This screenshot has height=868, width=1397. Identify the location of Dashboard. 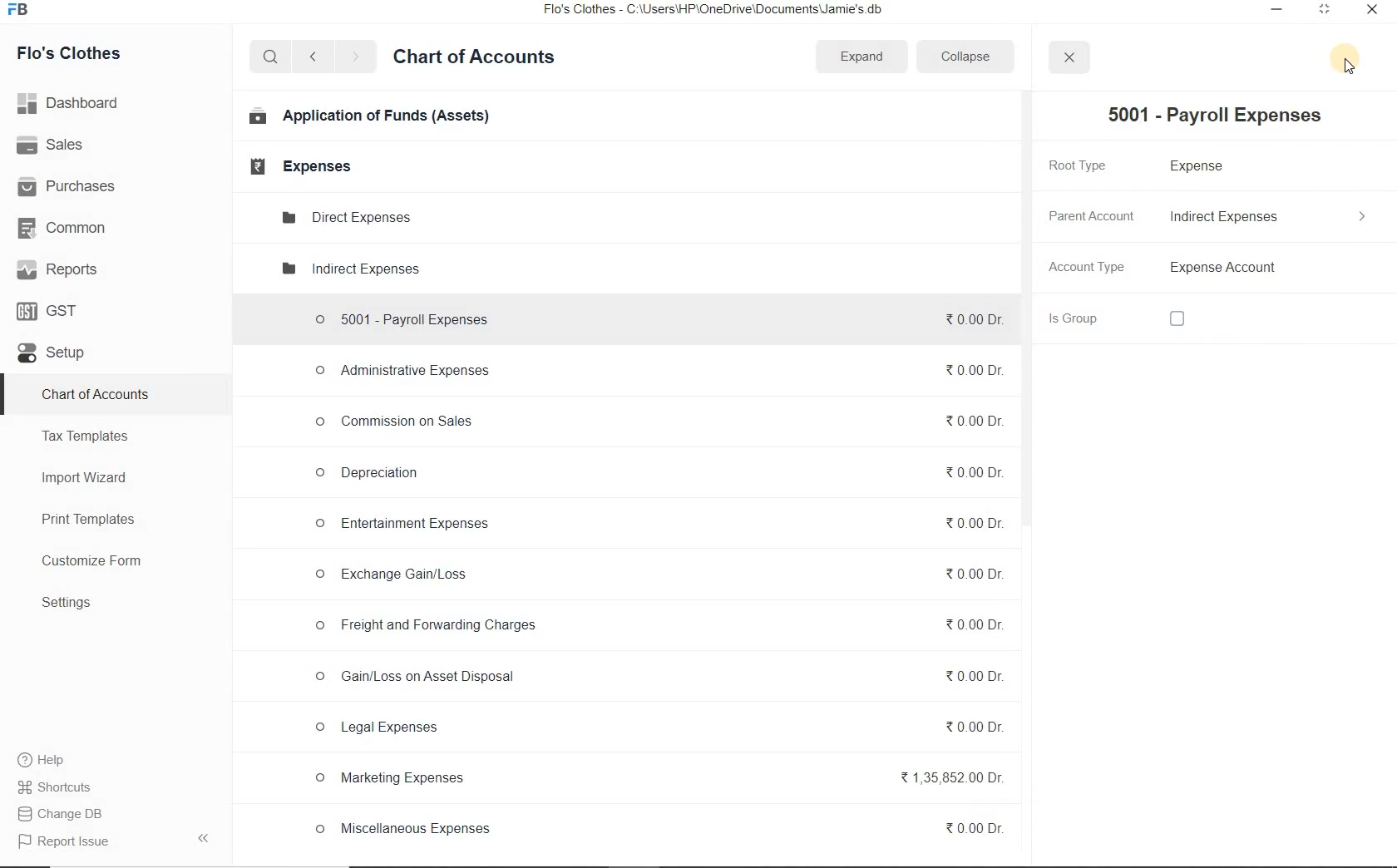
(72, 101).